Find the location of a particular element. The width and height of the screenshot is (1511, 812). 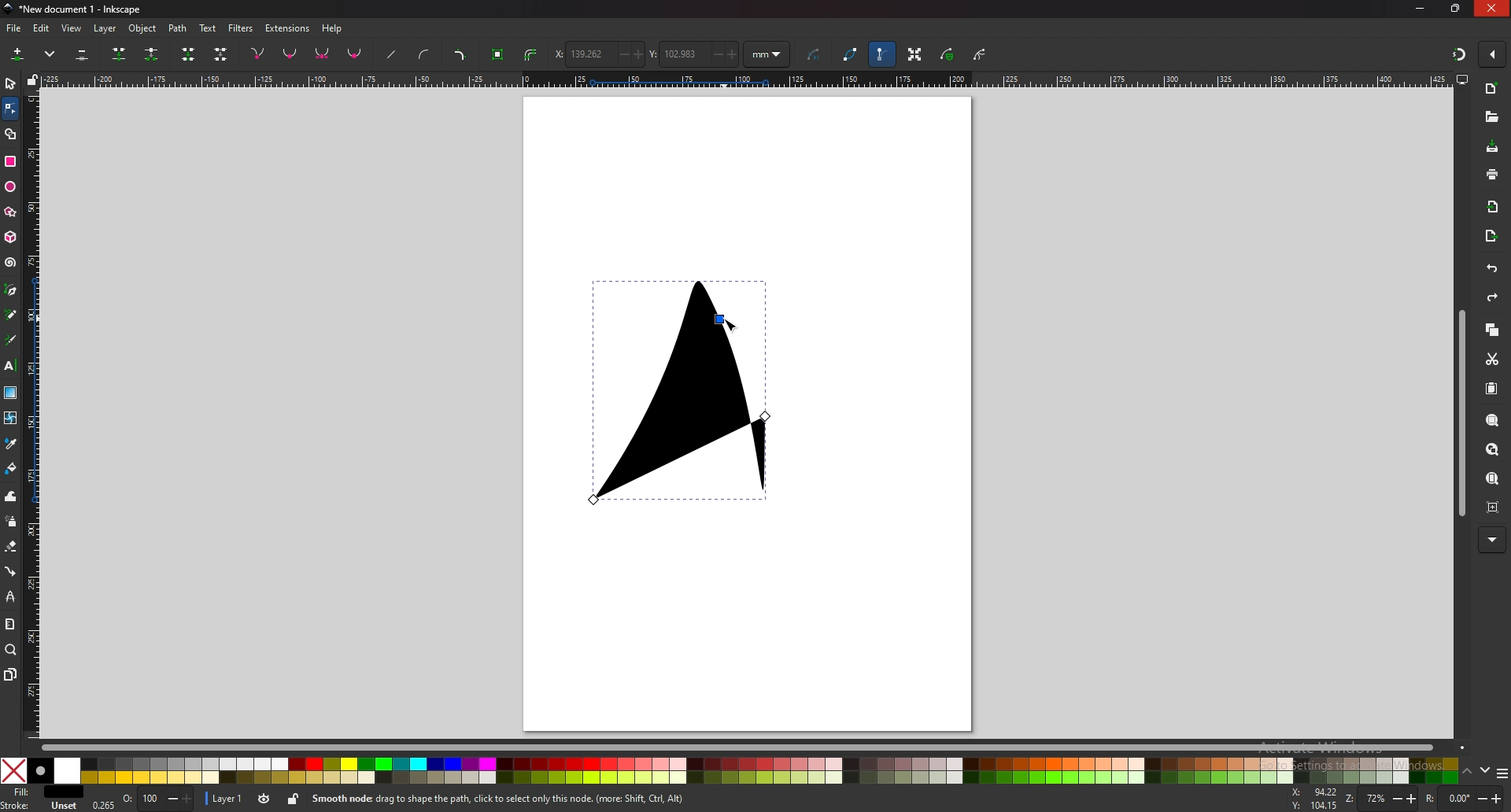

cut is located at coordinates (1492, 358).